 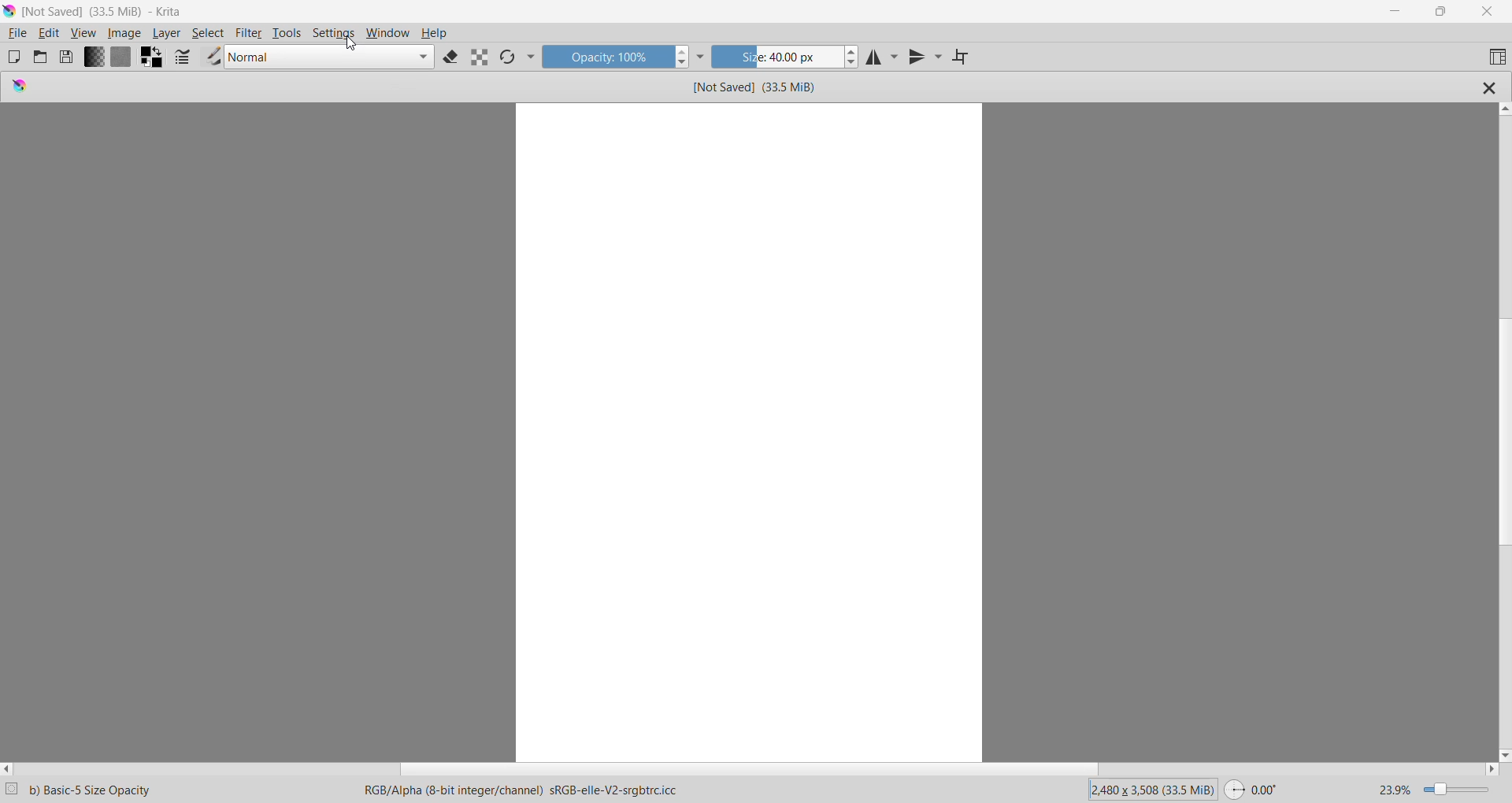 What do you see at coordinates (1489, 88) in the screenshot?
I see `Close` at bounding box center [1489, 88].